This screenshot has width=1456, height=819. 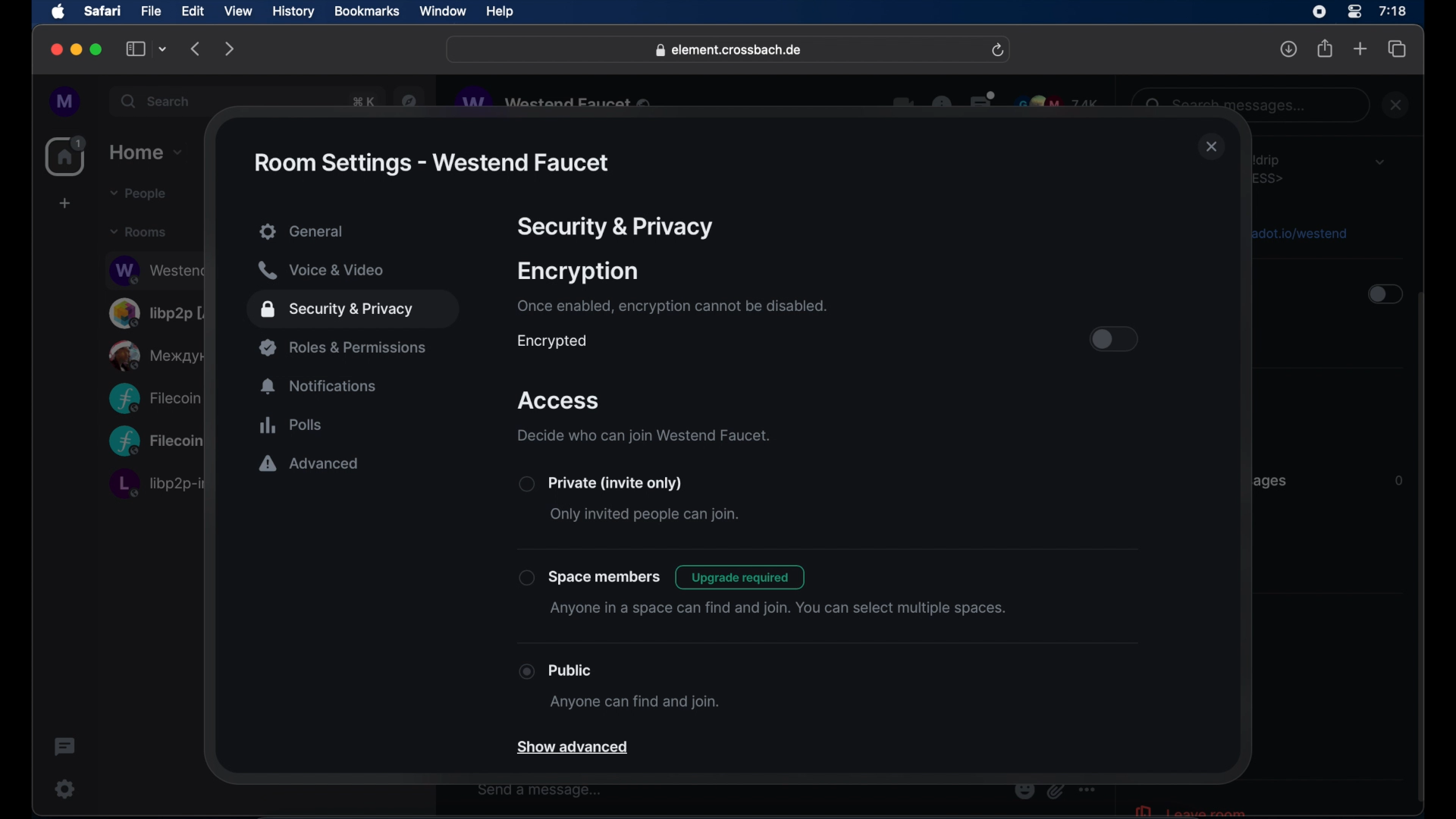 What do you see at coordinates (66, 102) in the screenshot?
I see `profile` at bounding box center [66, 102].